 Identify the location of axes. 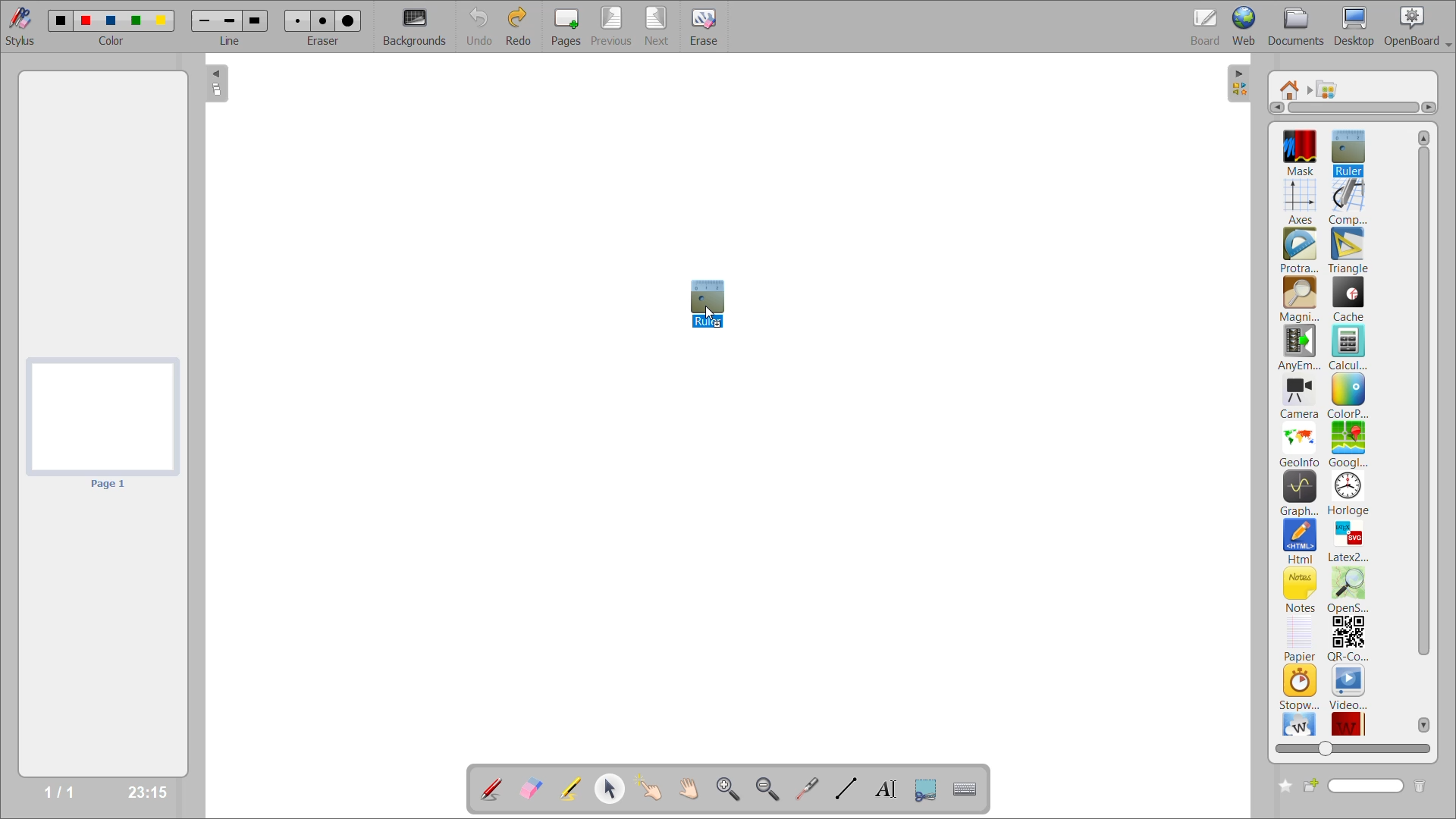
(1303, 199).